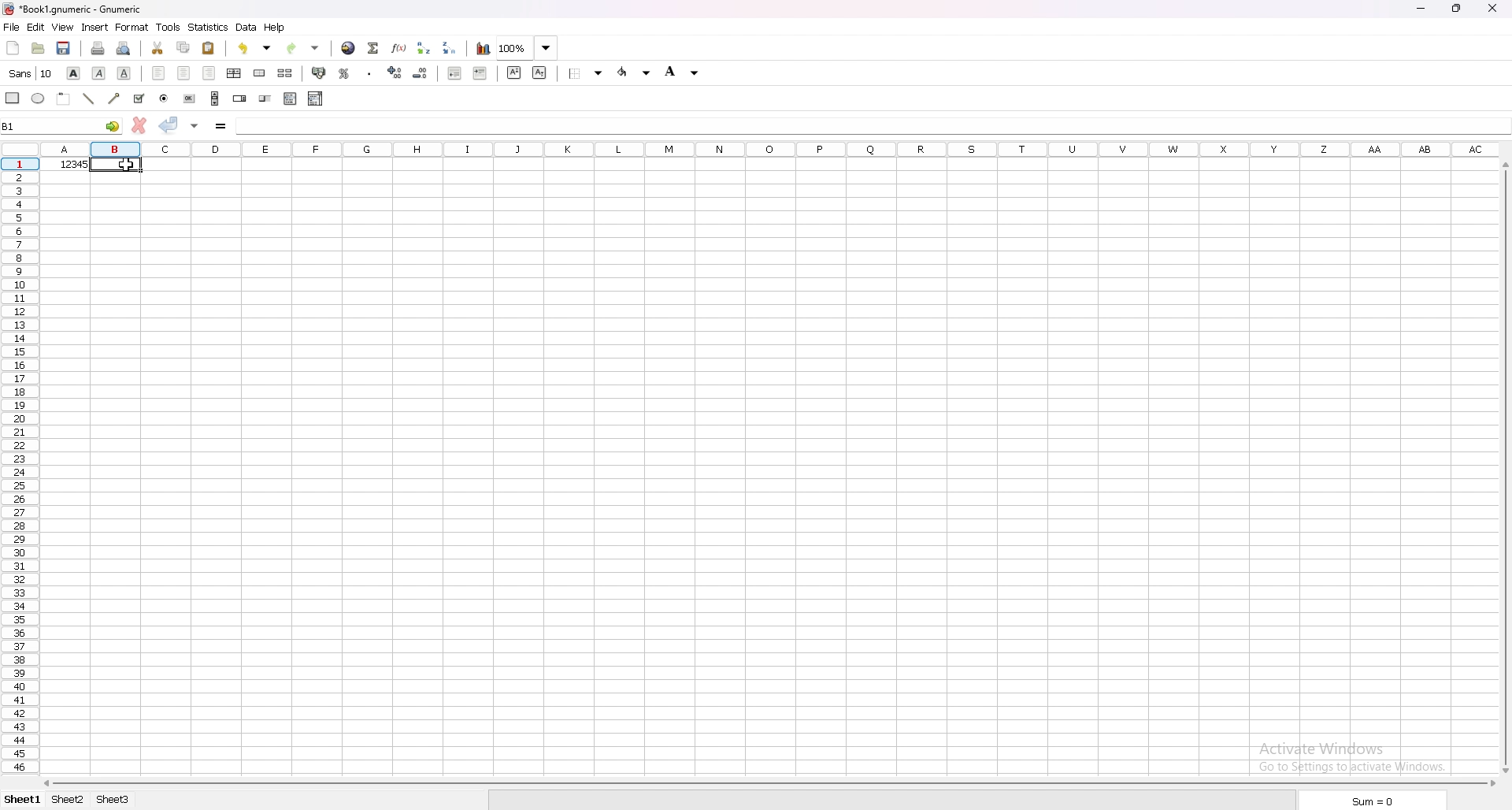 This screenshot has height=810, width=1512. What do you see at coordinates (11, 28) in the screenshot?
I see `file` at bounding box center [11, 28].